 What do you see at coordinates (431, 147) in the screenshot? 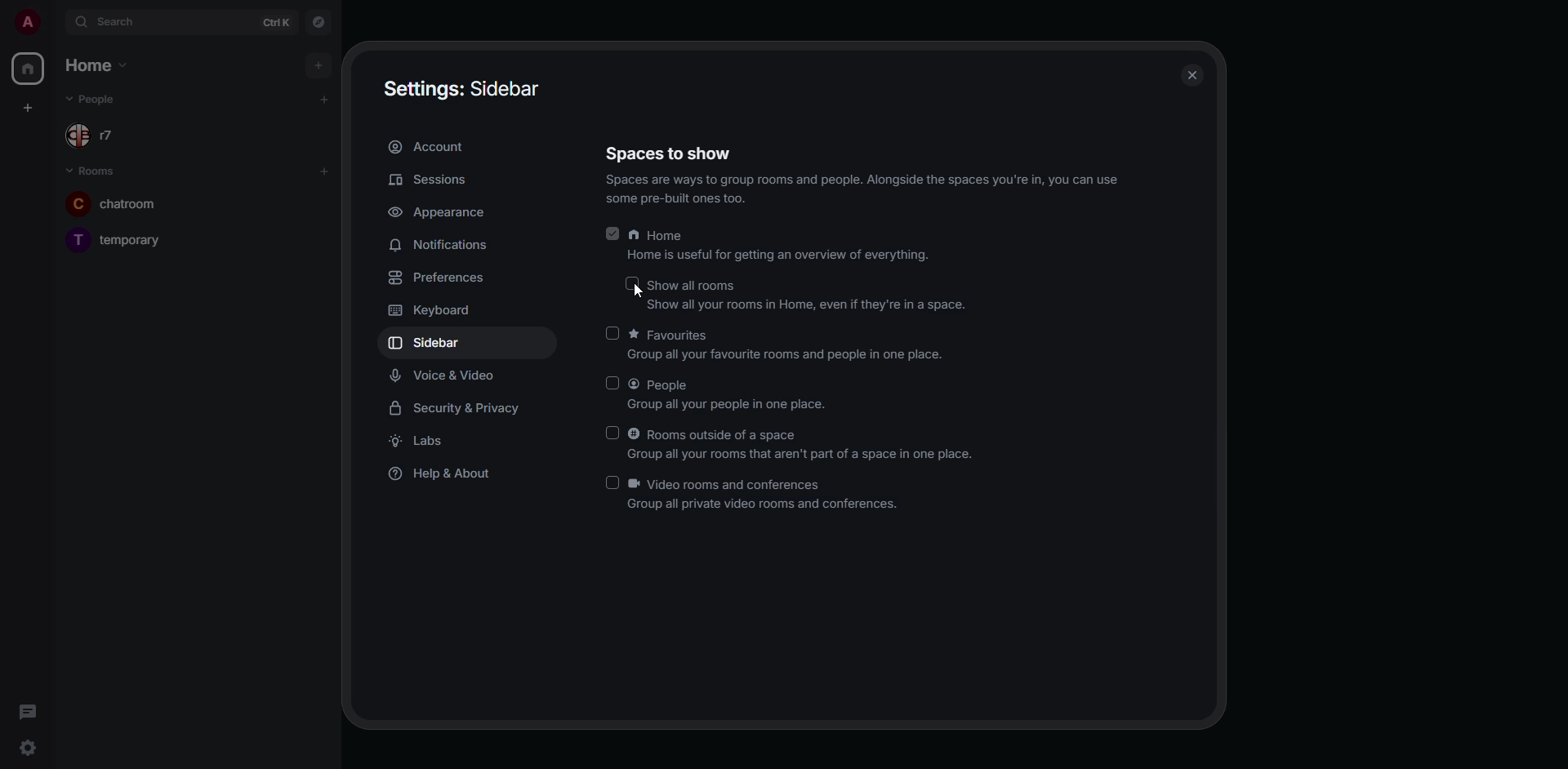
I see `account` at bounding box center [431, 147].